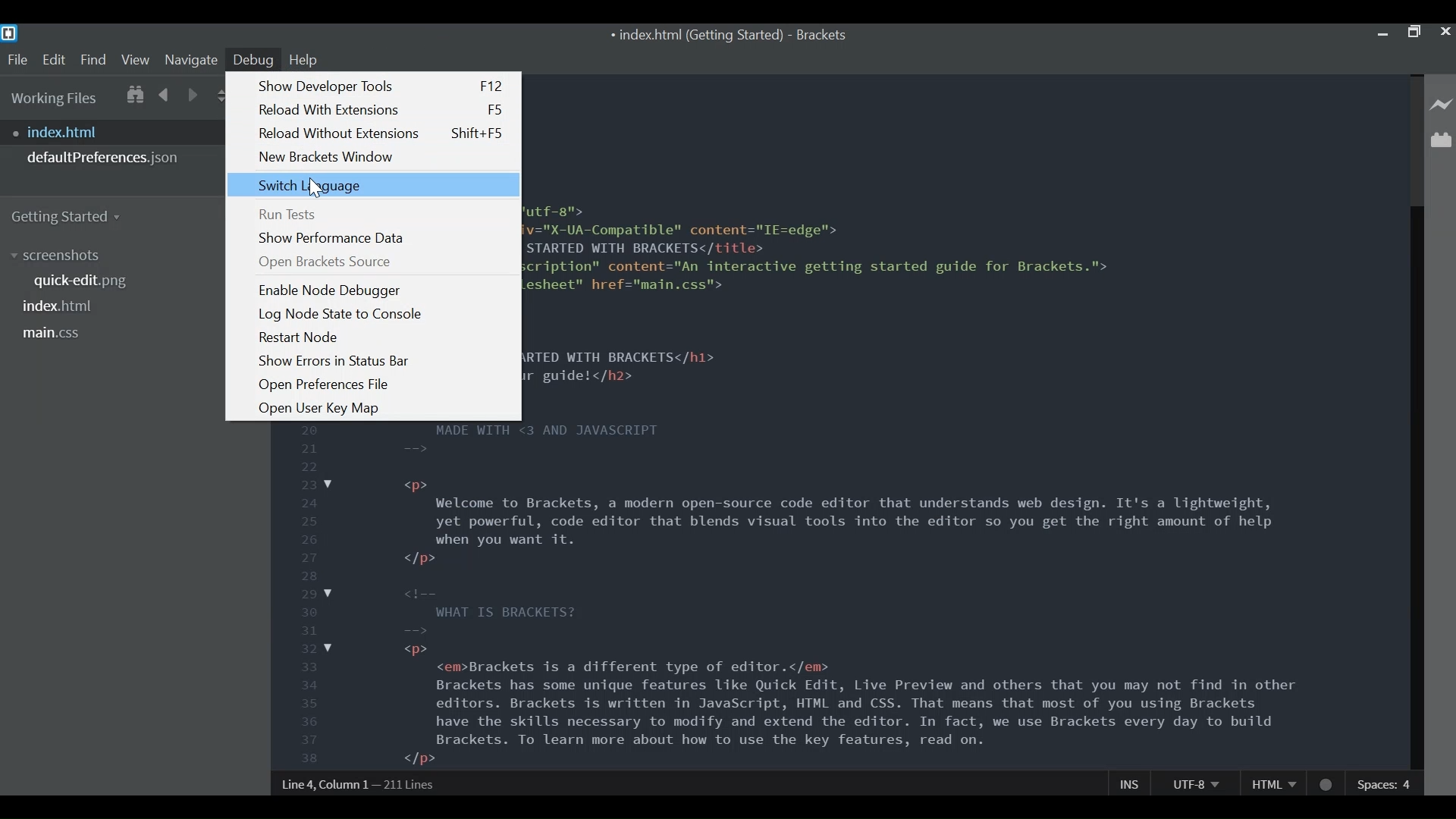 This screenshot has height=819, width=1456. I want to click on minimize, so click(1382, 32).